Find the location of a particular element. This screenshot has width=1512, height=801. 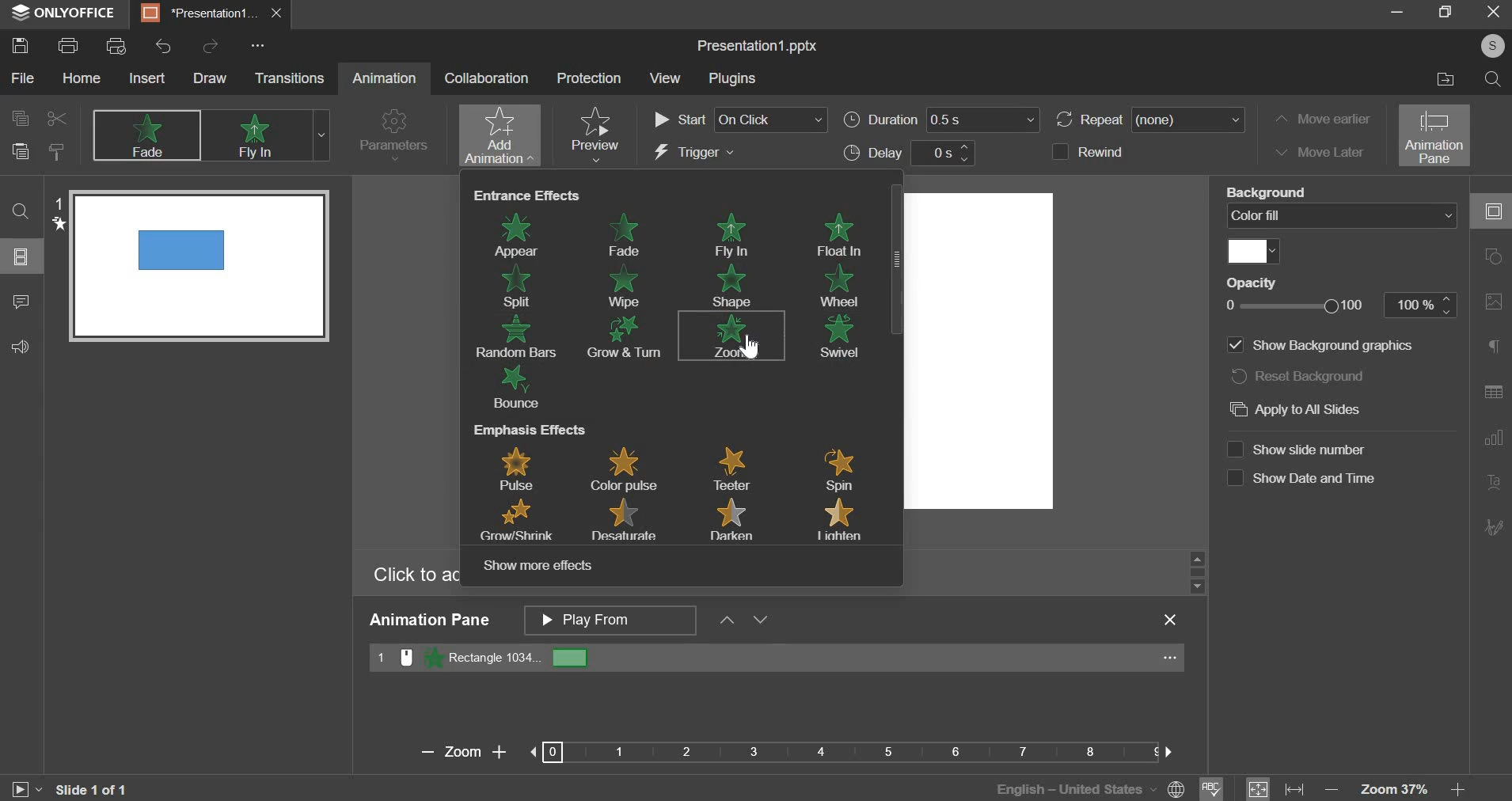

random bars is located at coordinates (518, 340).